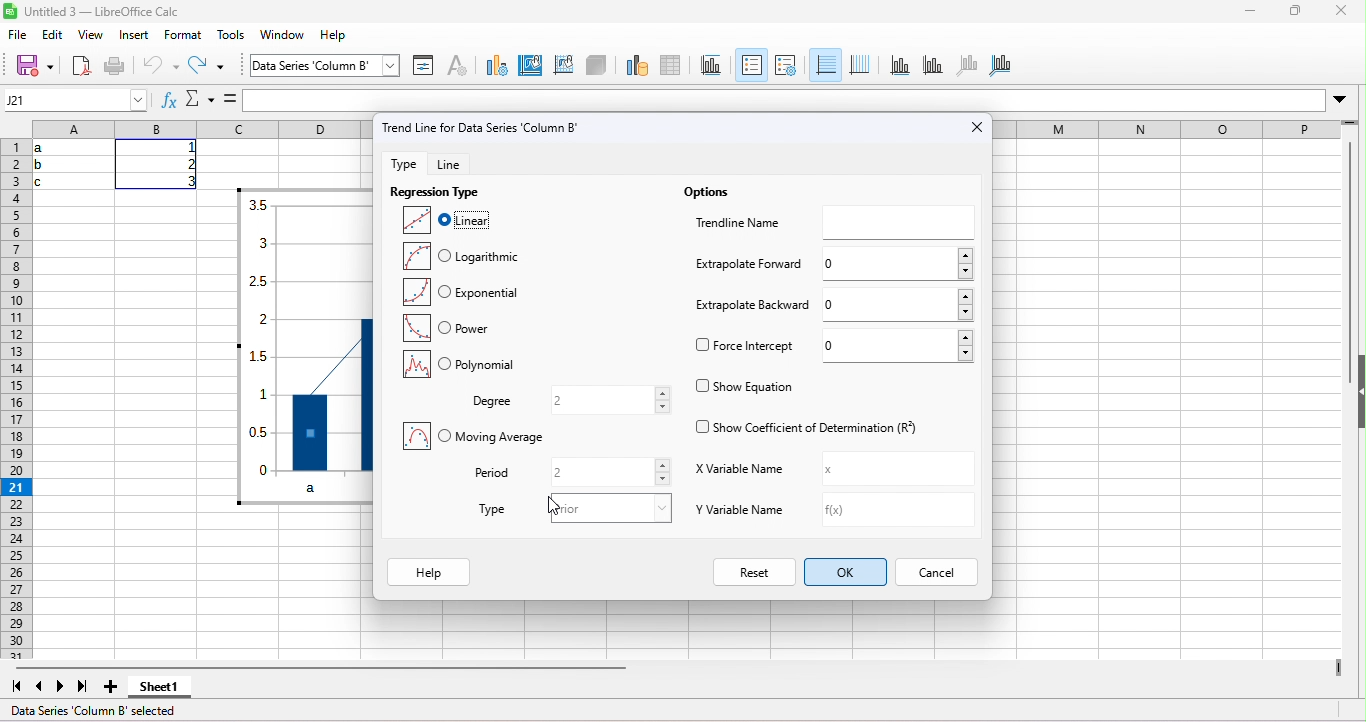 Image resolution: width=1366 pixels, height=722 pixels. What do you see at coordinates (712, 65) in the screenshot?
I see `titles` at bounding box center [712, 65].